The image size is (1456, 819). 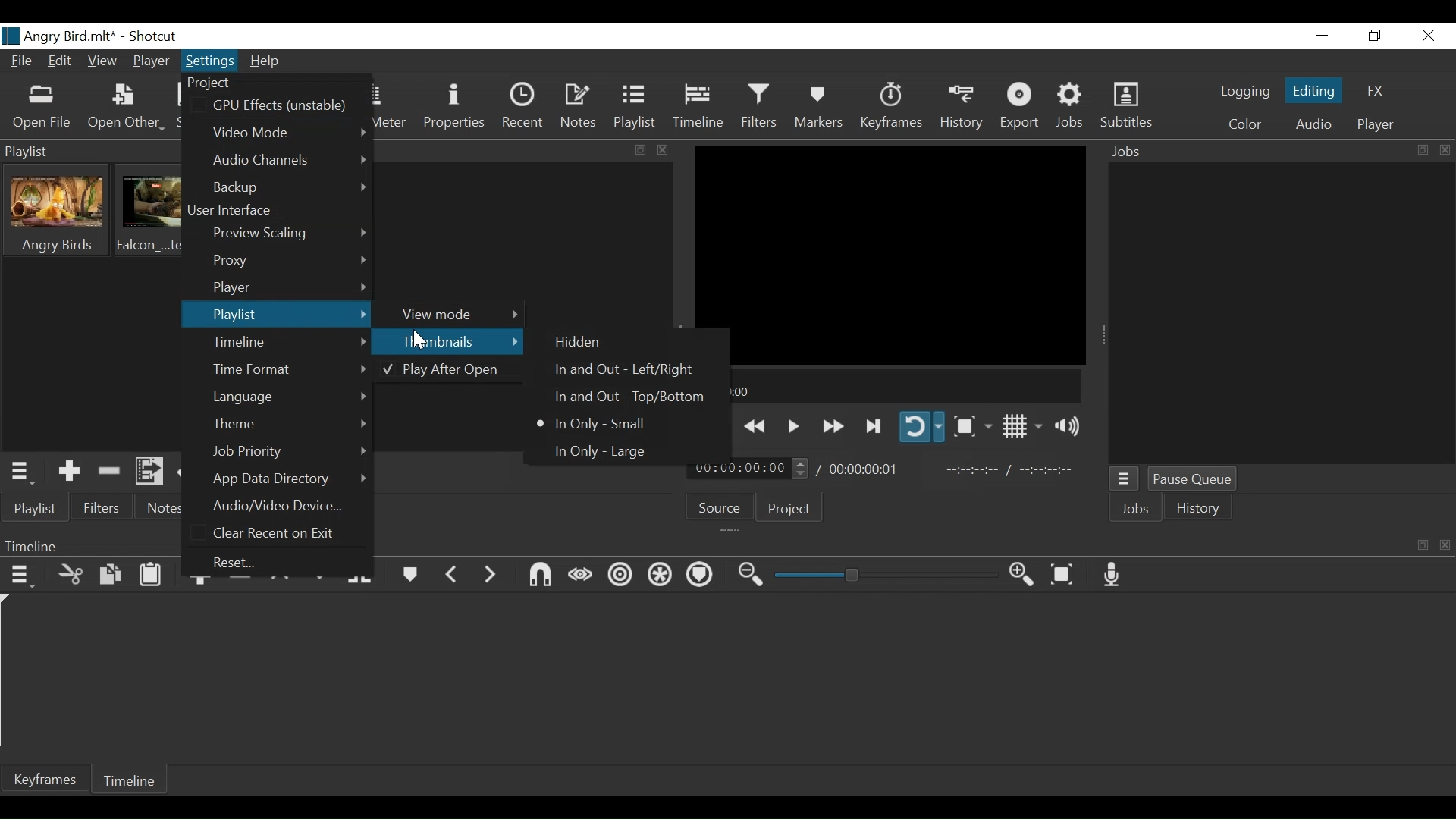 I want to click on Jobs Panel, so click(x=1280, y=149).